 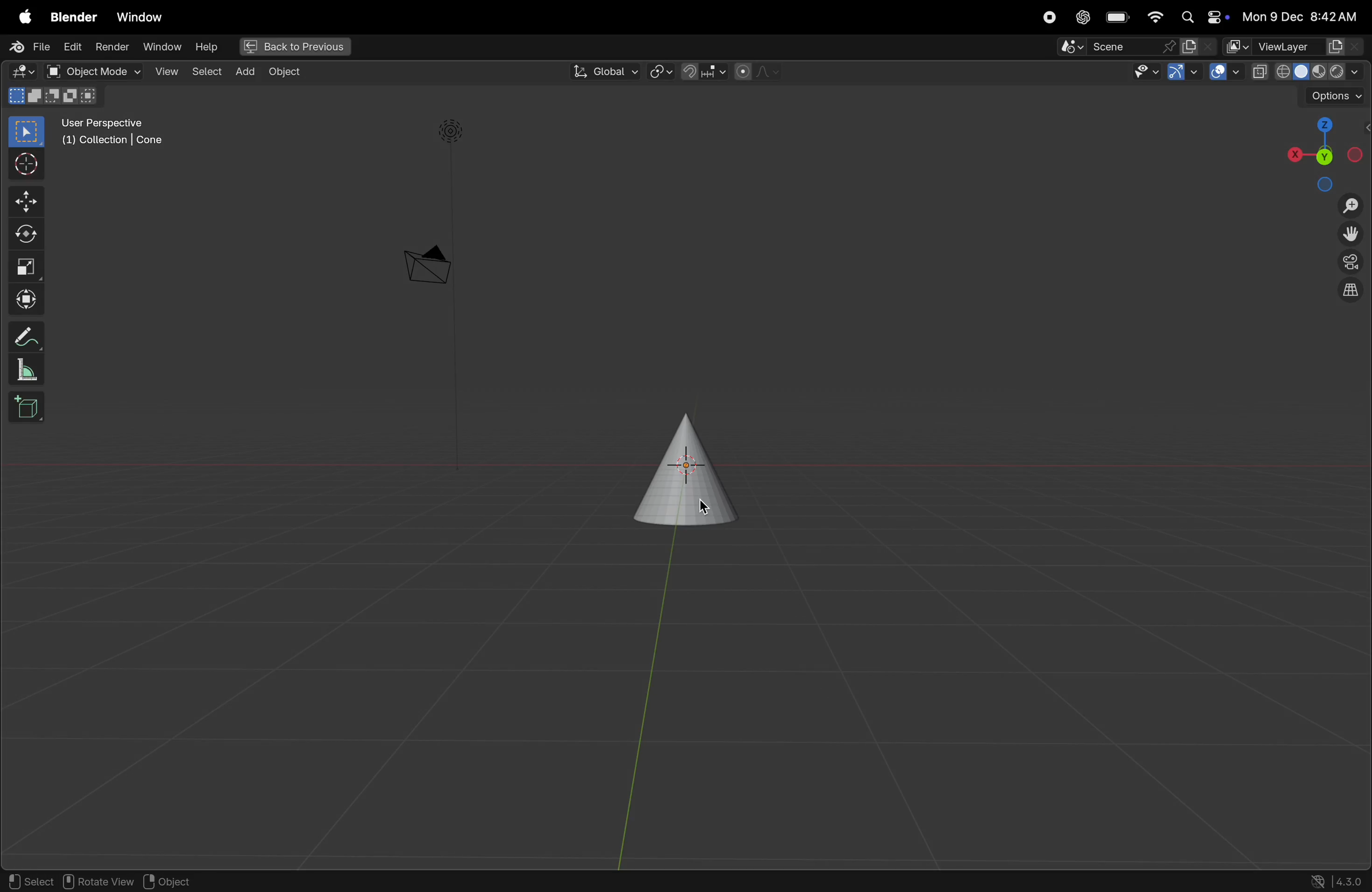 I want to click on add, so click(x=246, y=71).